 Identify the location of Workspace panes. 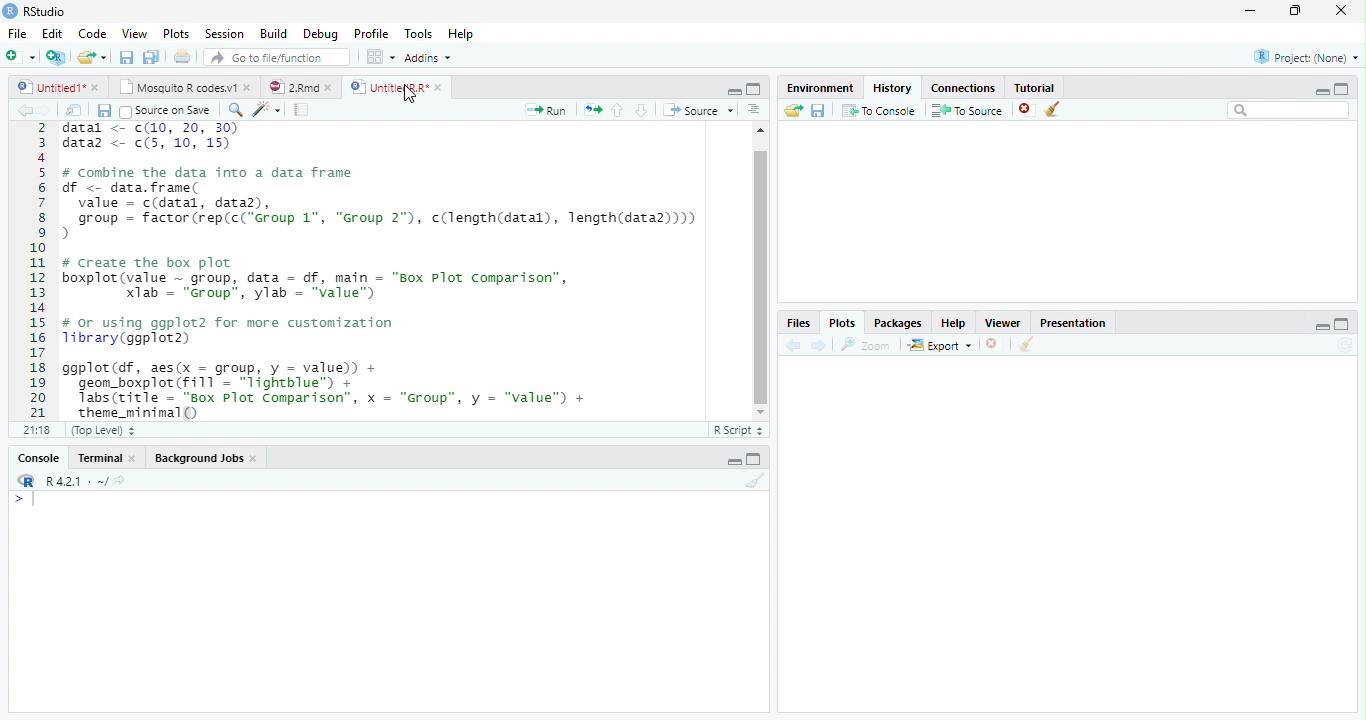
(378, 56).